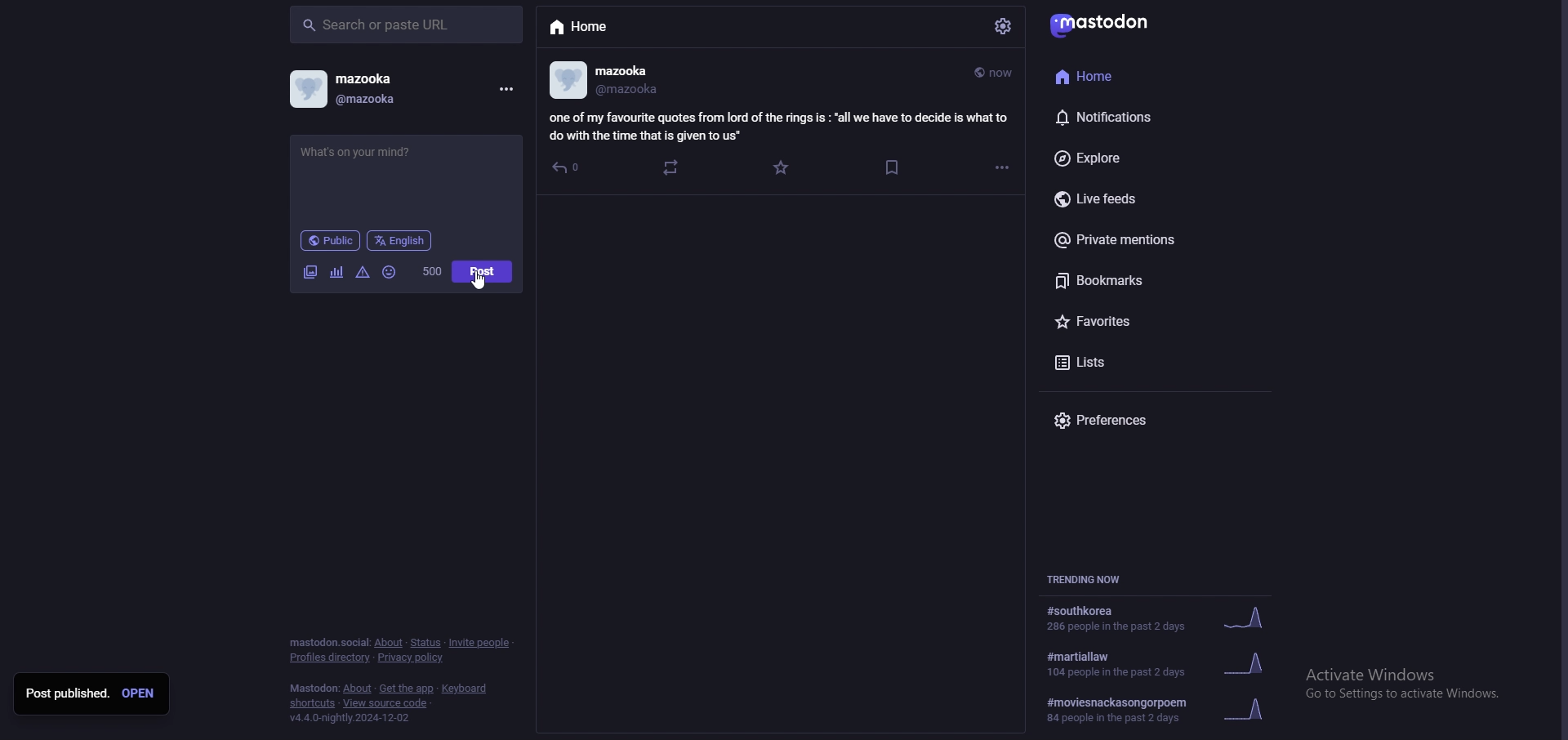  I want to click on about, so click(389, 643).